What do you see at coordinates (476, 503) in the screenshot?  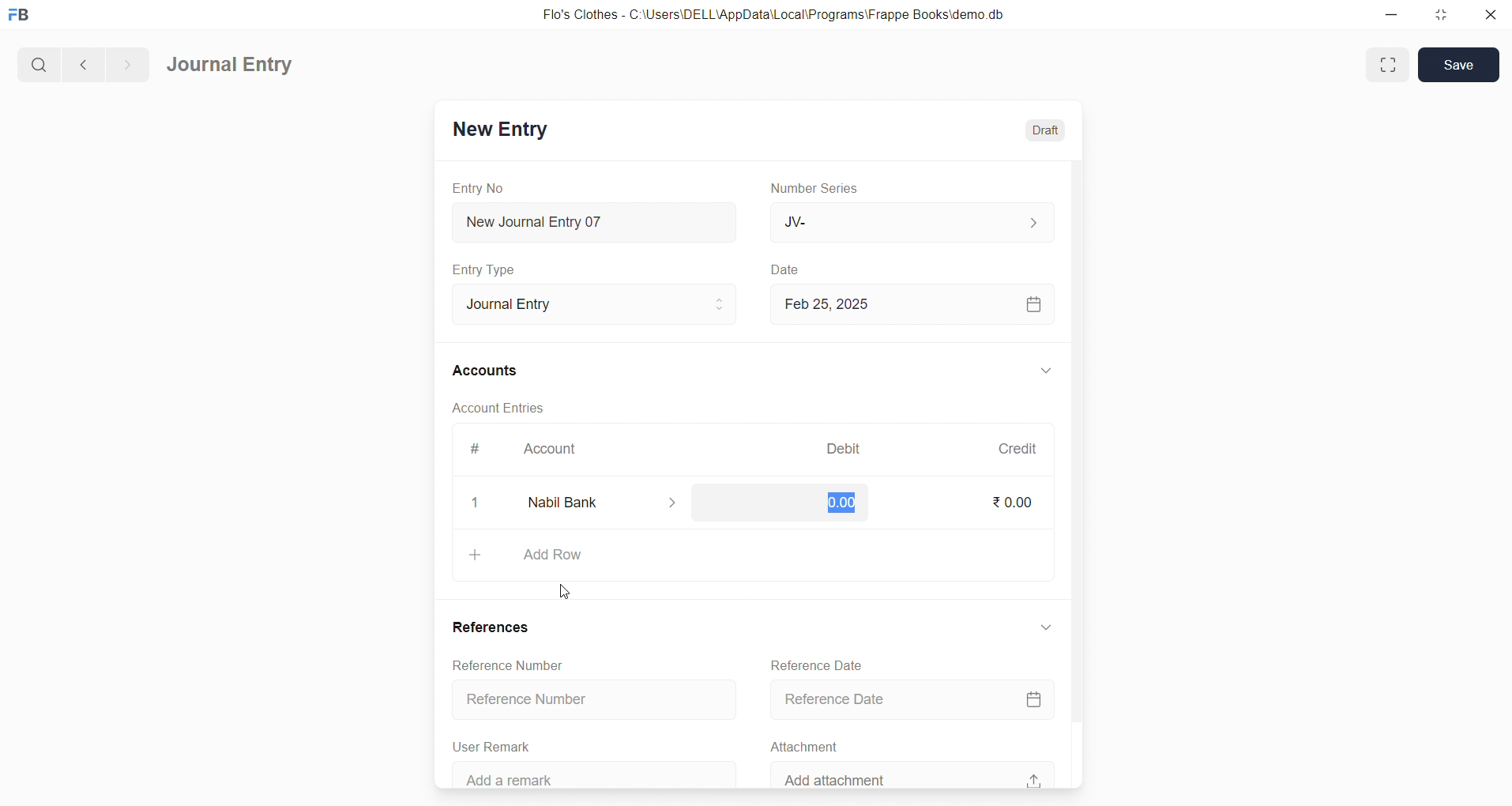 I see `closee` at bounding box center [476, 503].